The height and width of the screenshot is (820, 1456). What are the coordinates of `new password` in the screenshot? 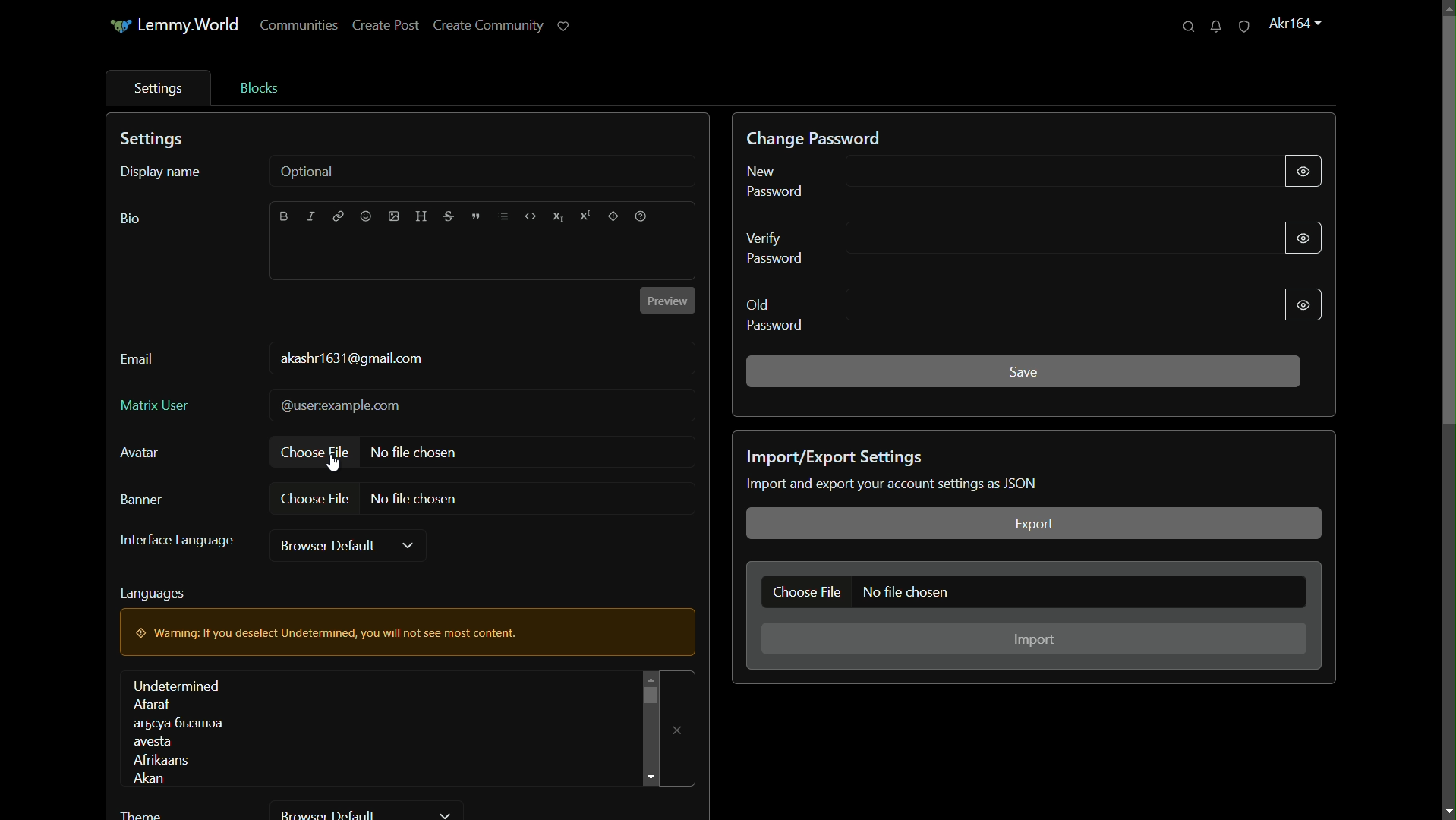 It's located at (777, 181).